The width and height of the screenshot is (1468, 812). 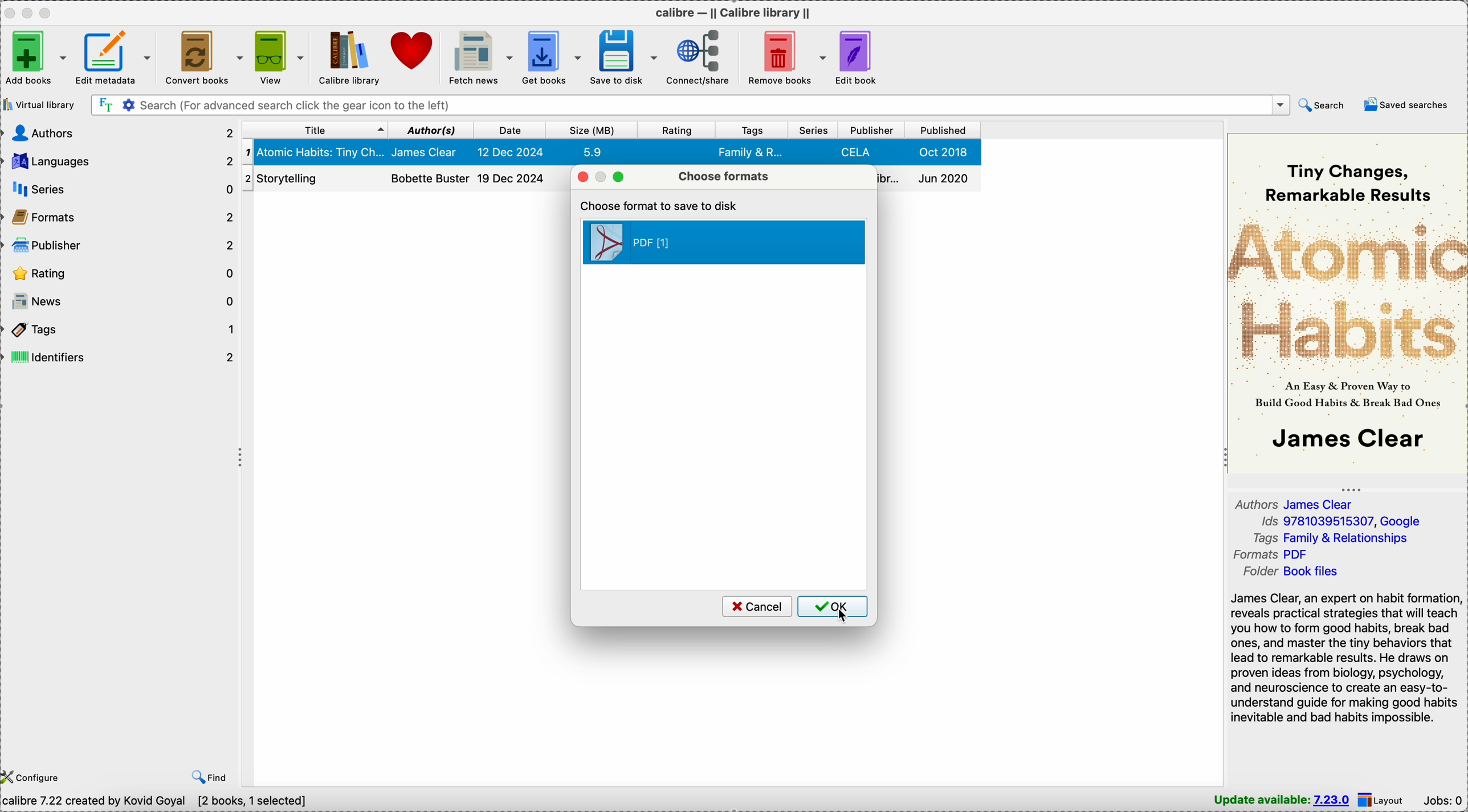 I want to click on minimize Calibre, so click(x=30, y=13).